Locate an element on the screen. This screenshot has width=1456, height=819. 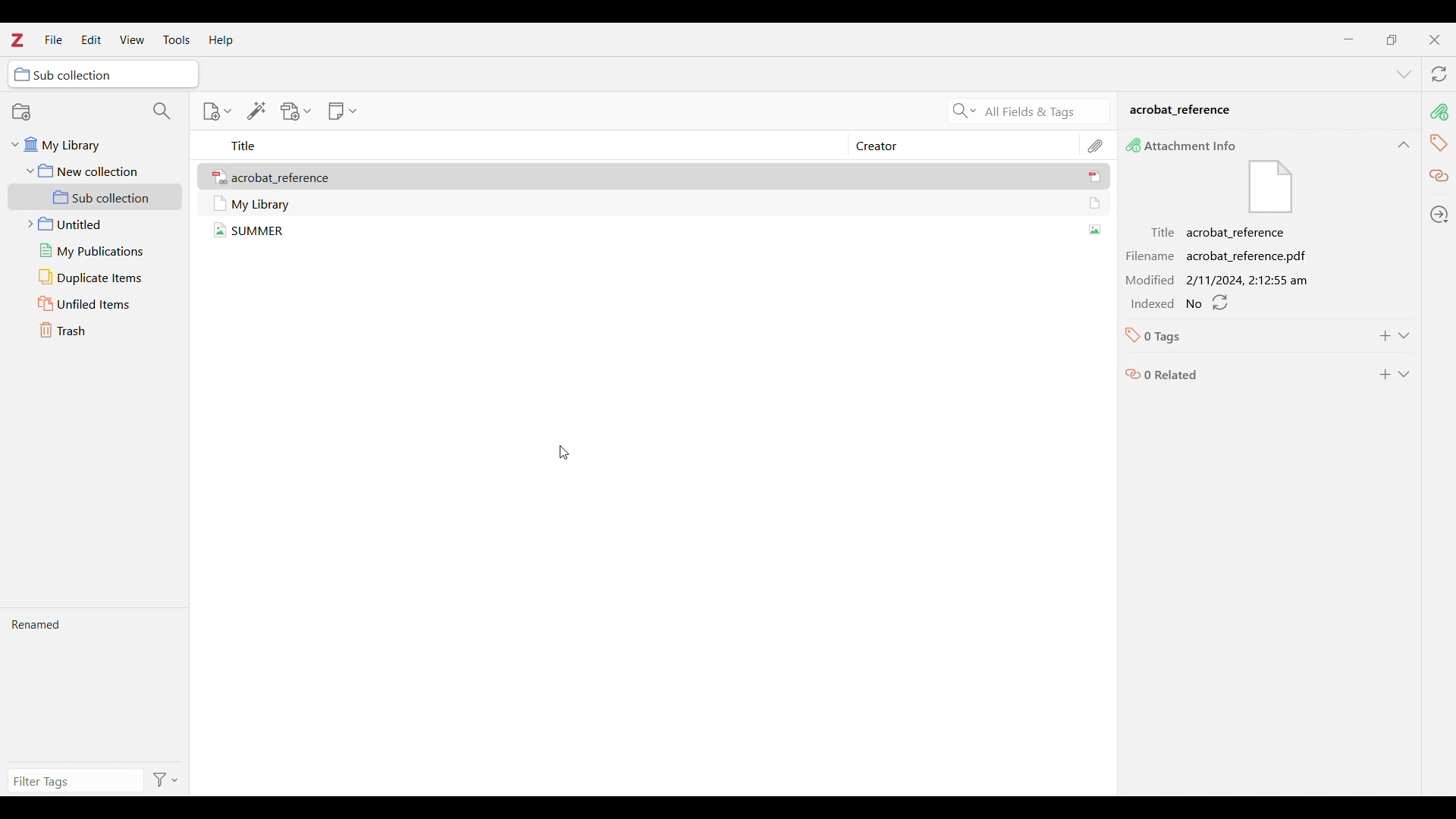
Selected file is located at coordinates (651, 234).